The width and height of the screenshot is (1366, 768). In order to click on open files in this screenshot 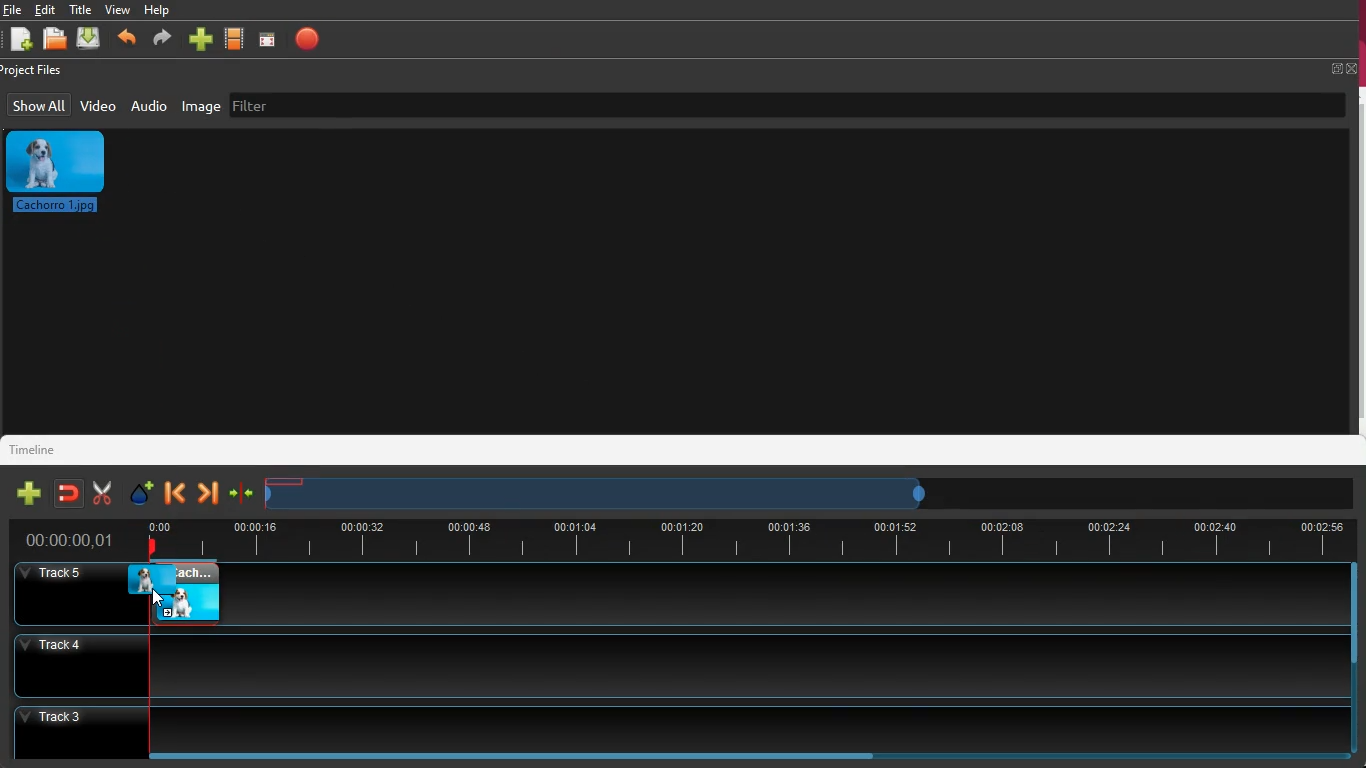, I will do `click(55, 39)`.